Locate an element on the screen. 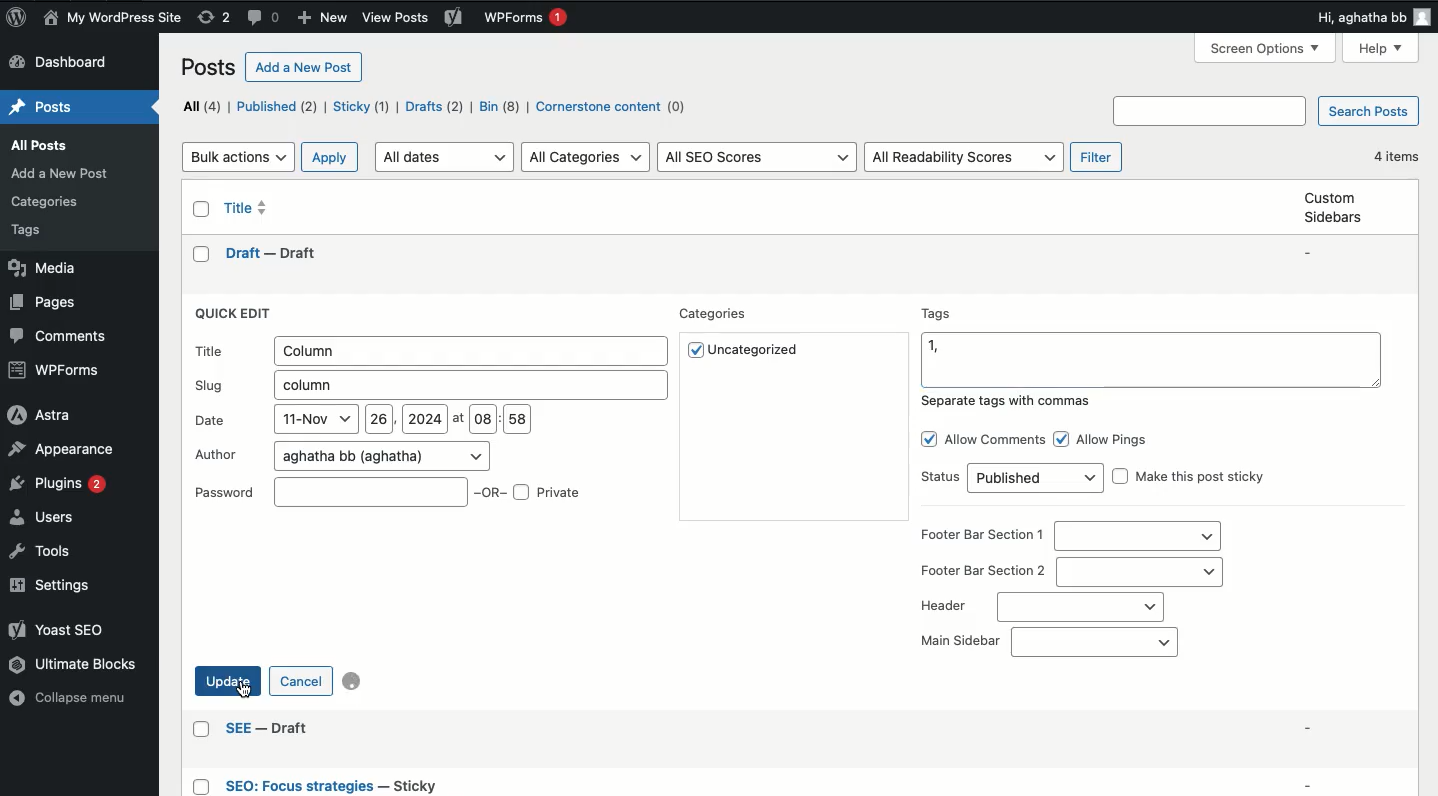 The width and height of the screenshot is (1438, 796). draft -- draft is located at coordinates (273, 255).